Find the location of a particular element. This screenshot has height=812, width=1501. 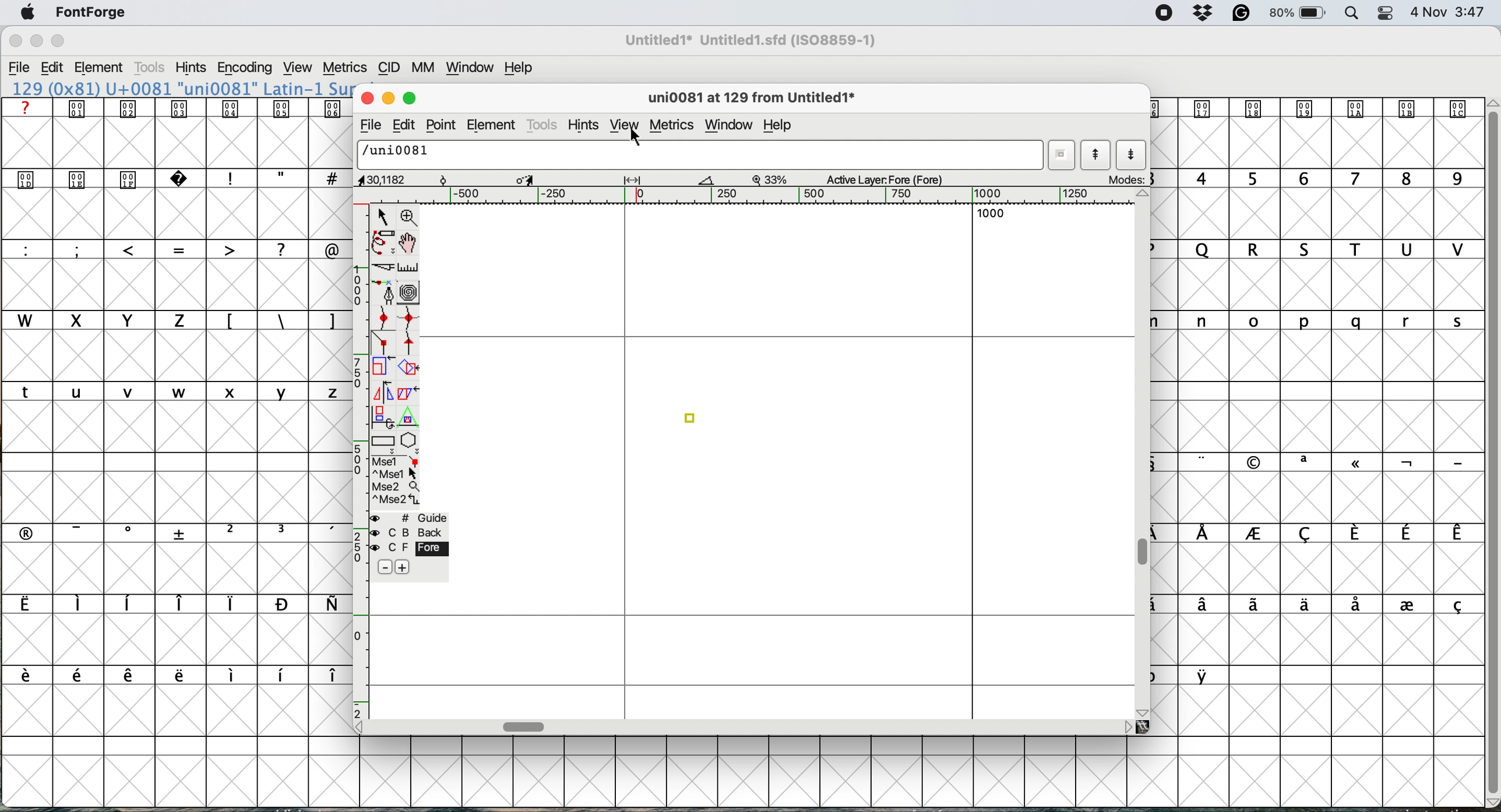

connector point is located at coordinates (385, 343).